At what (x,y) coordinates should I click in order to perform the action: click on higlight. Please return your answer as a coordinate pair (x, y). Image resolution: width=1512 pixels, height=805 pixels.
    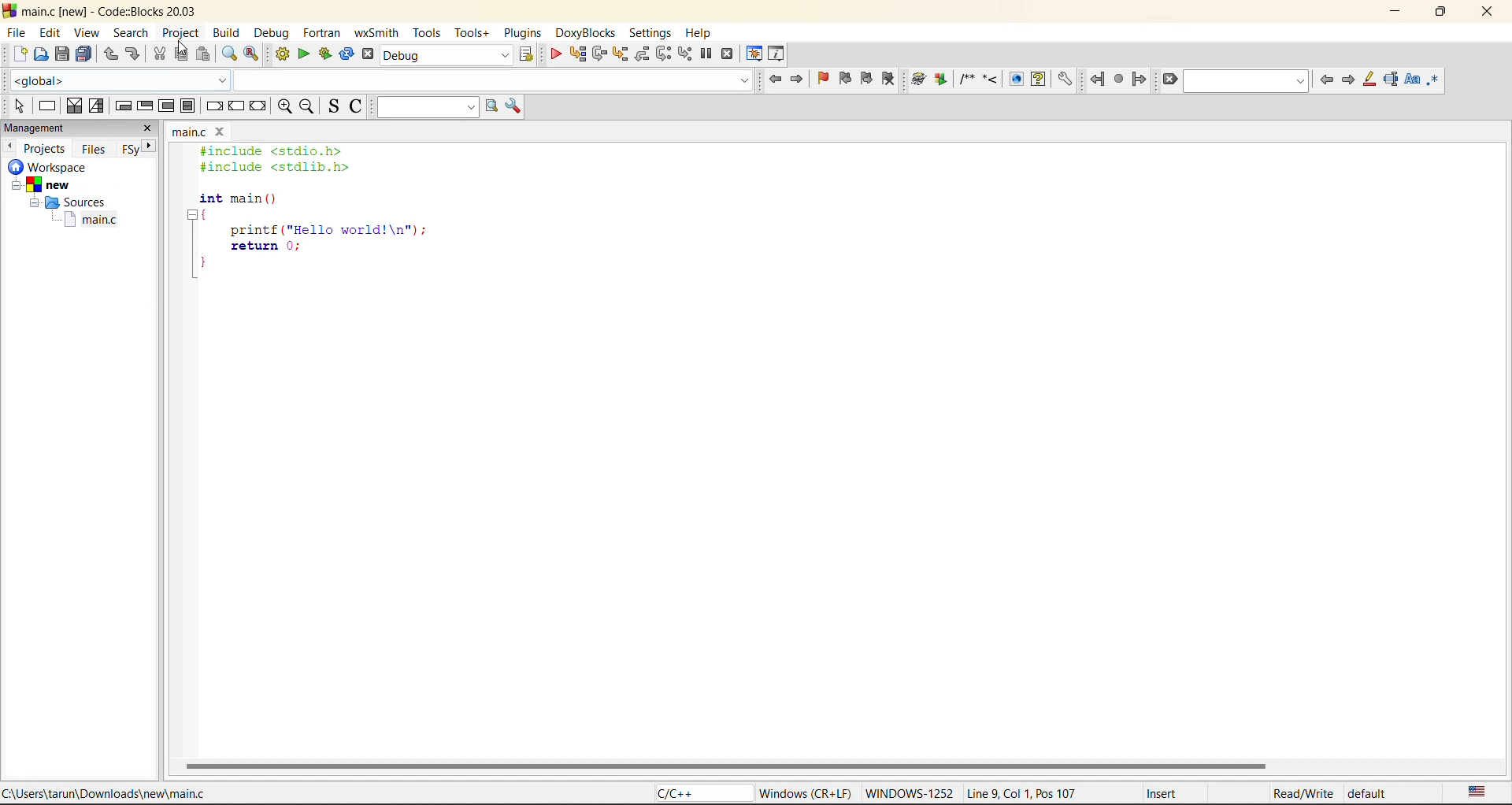
    Looking at the image, I should click on (1370, 80).